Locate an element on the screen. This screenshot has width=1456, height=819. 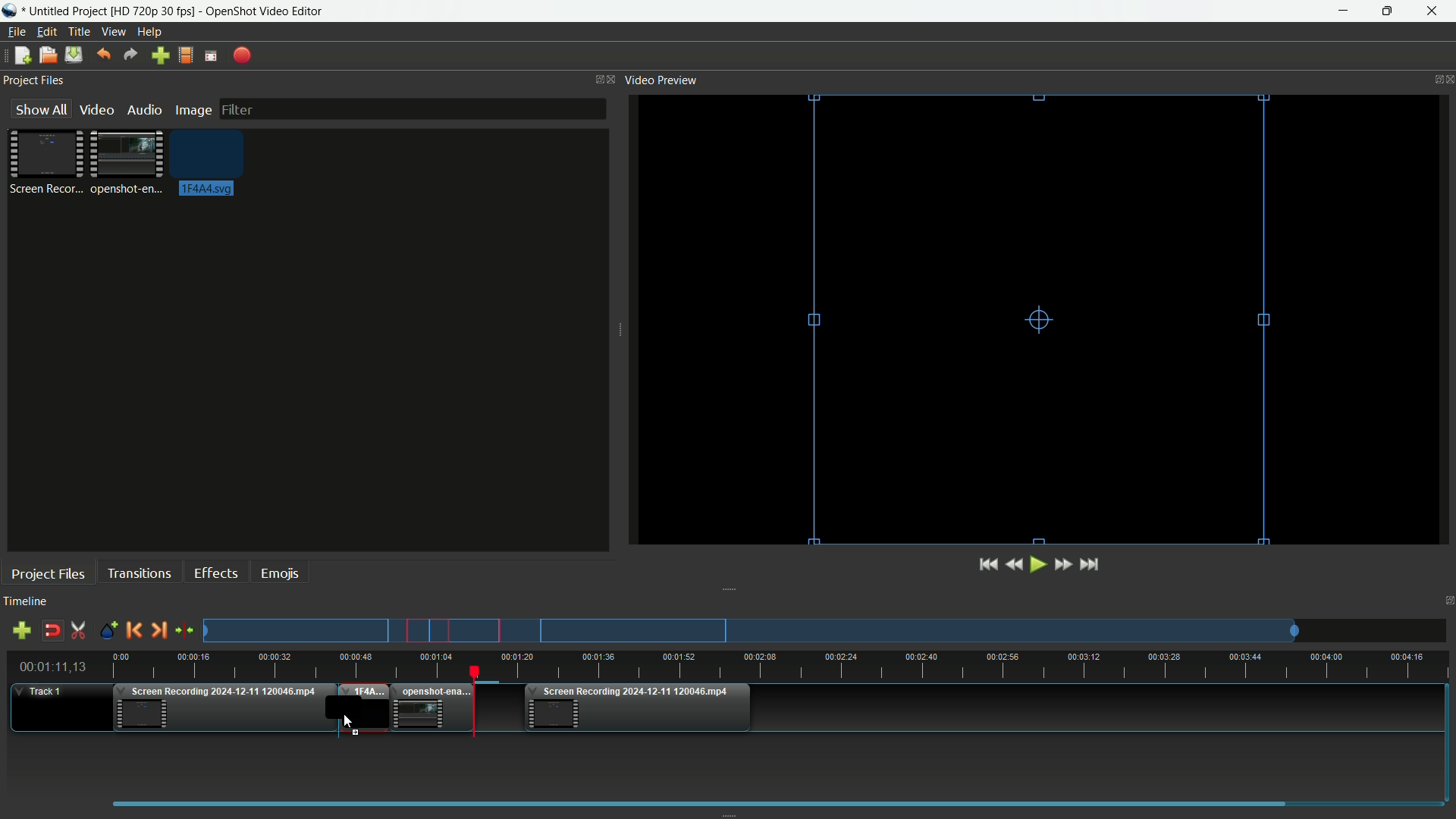
Enable razor is located at coordinates (79, 631).